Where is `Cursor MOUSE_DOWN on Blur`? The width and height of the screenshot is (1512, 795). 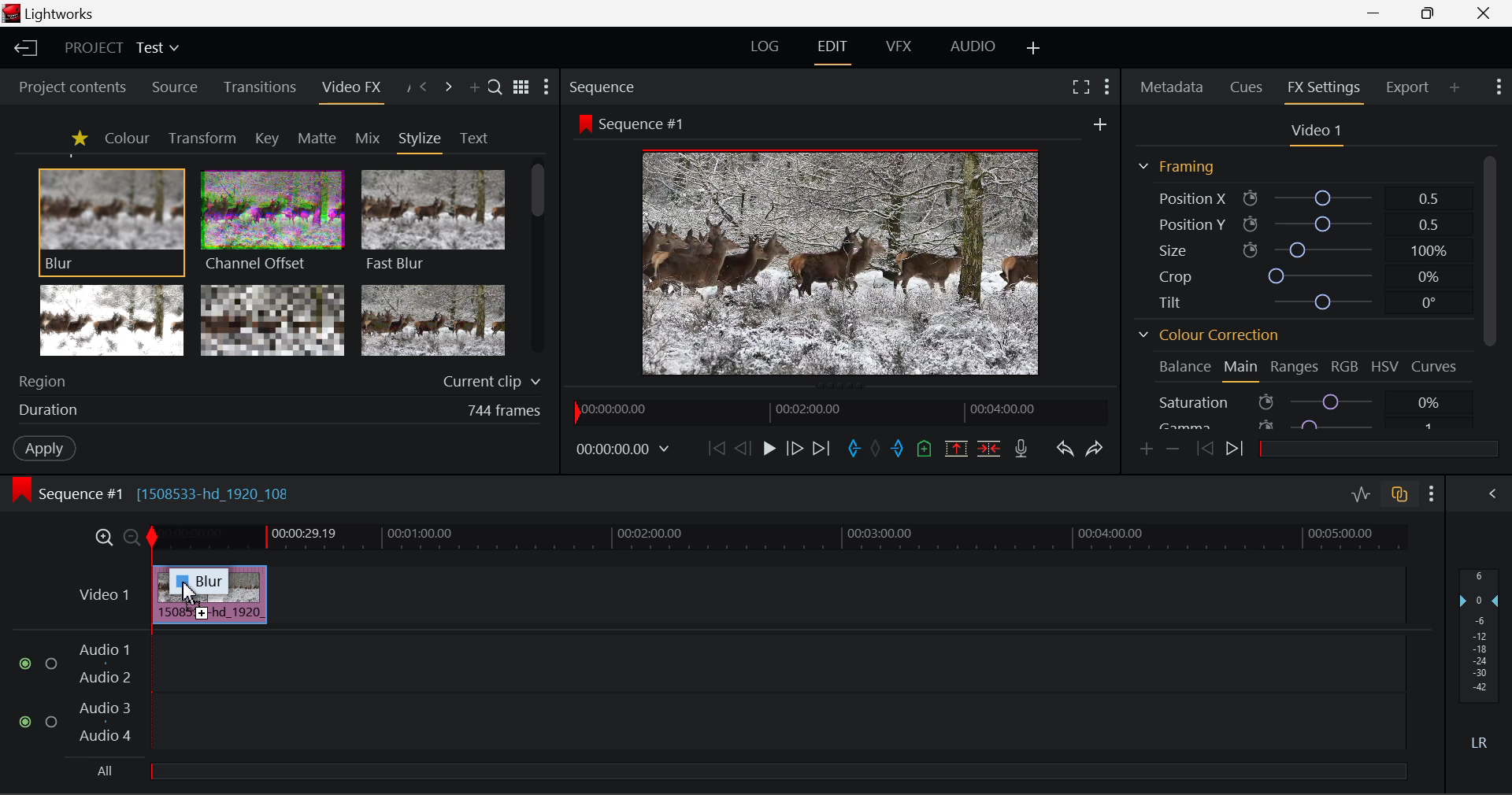 Cursor MOUSE_DOWN on Blur is located at coordinates (112, 220).